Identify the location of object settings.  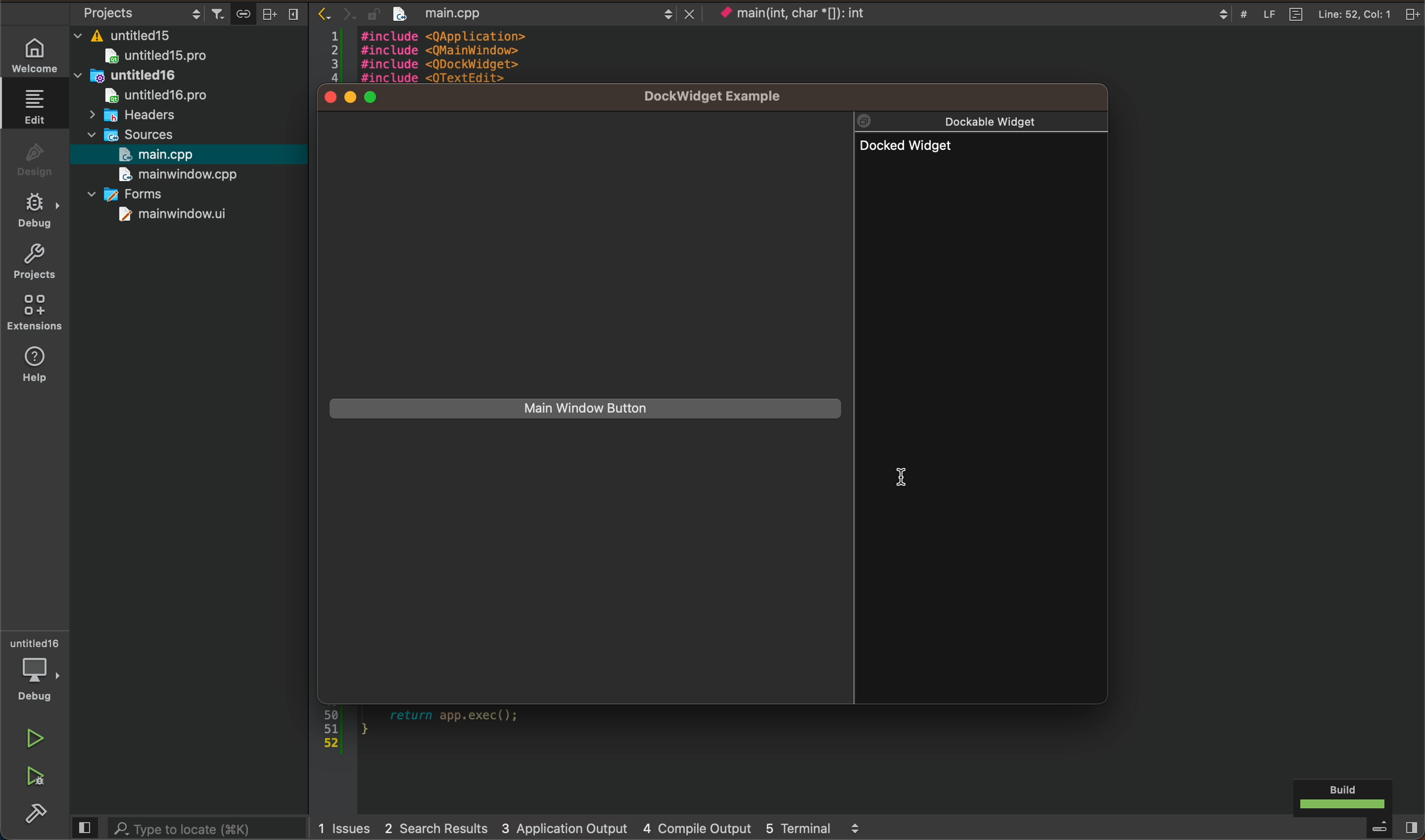
(139, 11).